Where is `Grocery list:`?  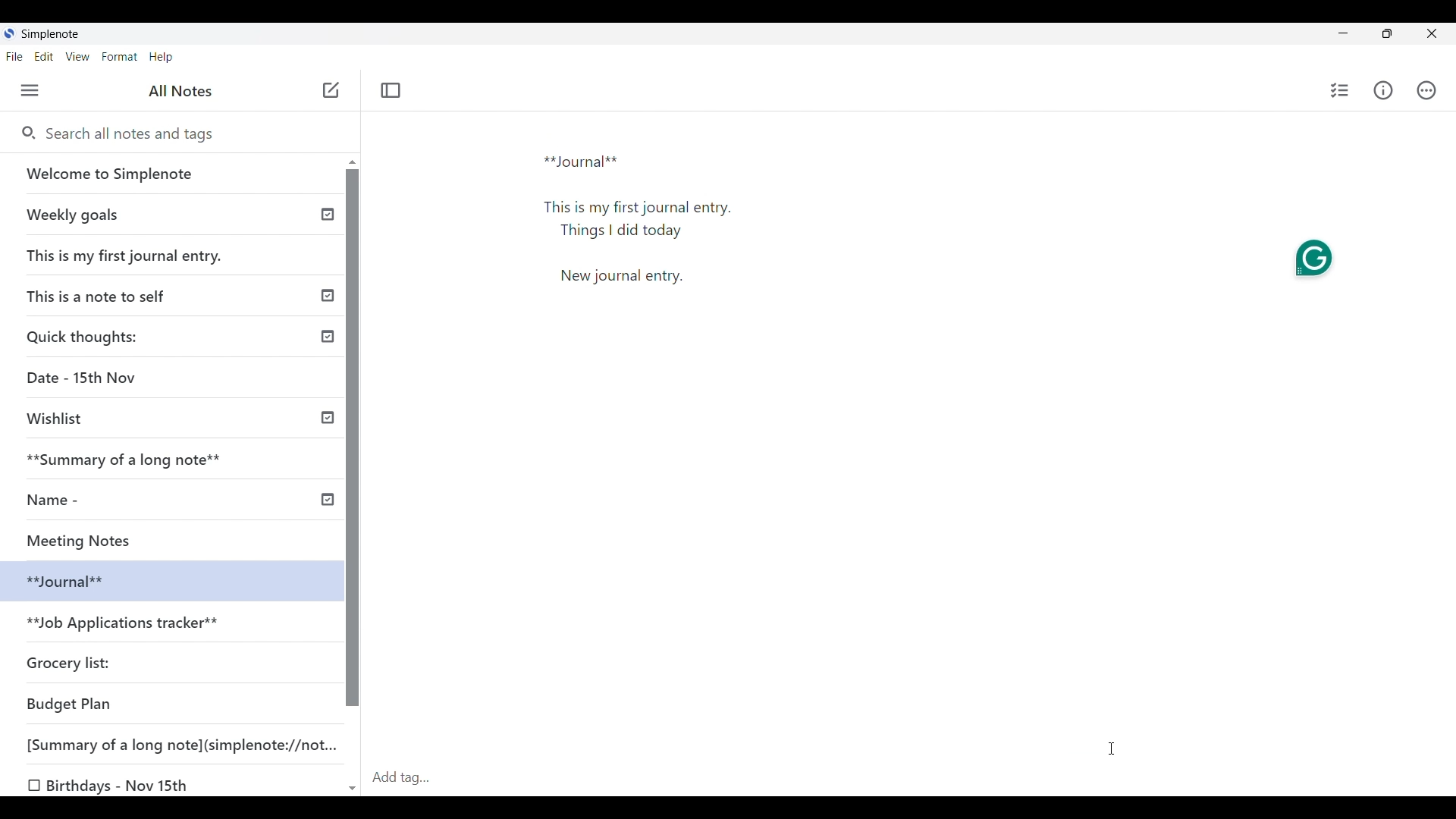
Grocery list: is located at coordinates (71, 661).